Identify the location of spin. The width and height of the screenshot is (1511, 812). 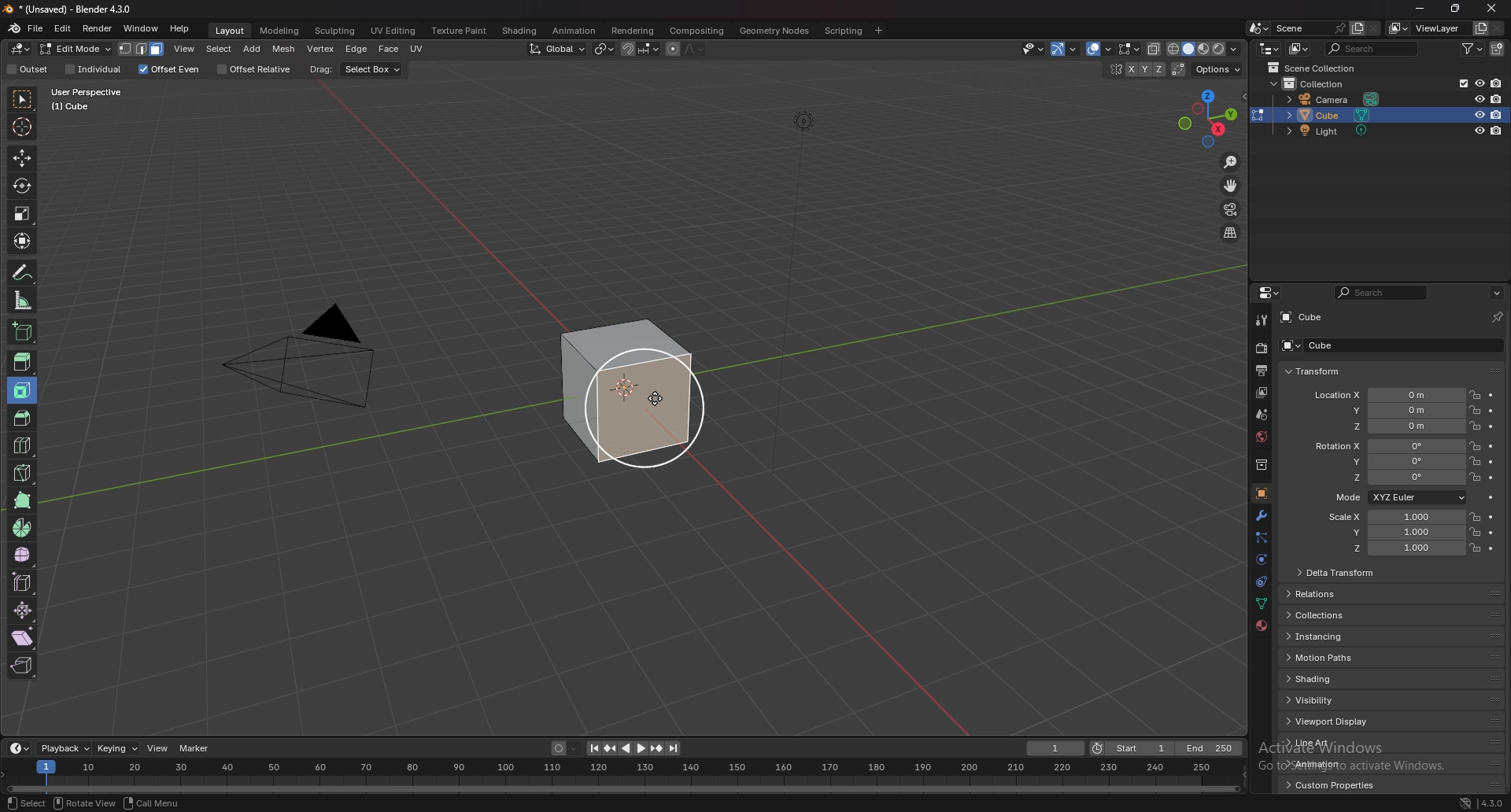
(23, 528).